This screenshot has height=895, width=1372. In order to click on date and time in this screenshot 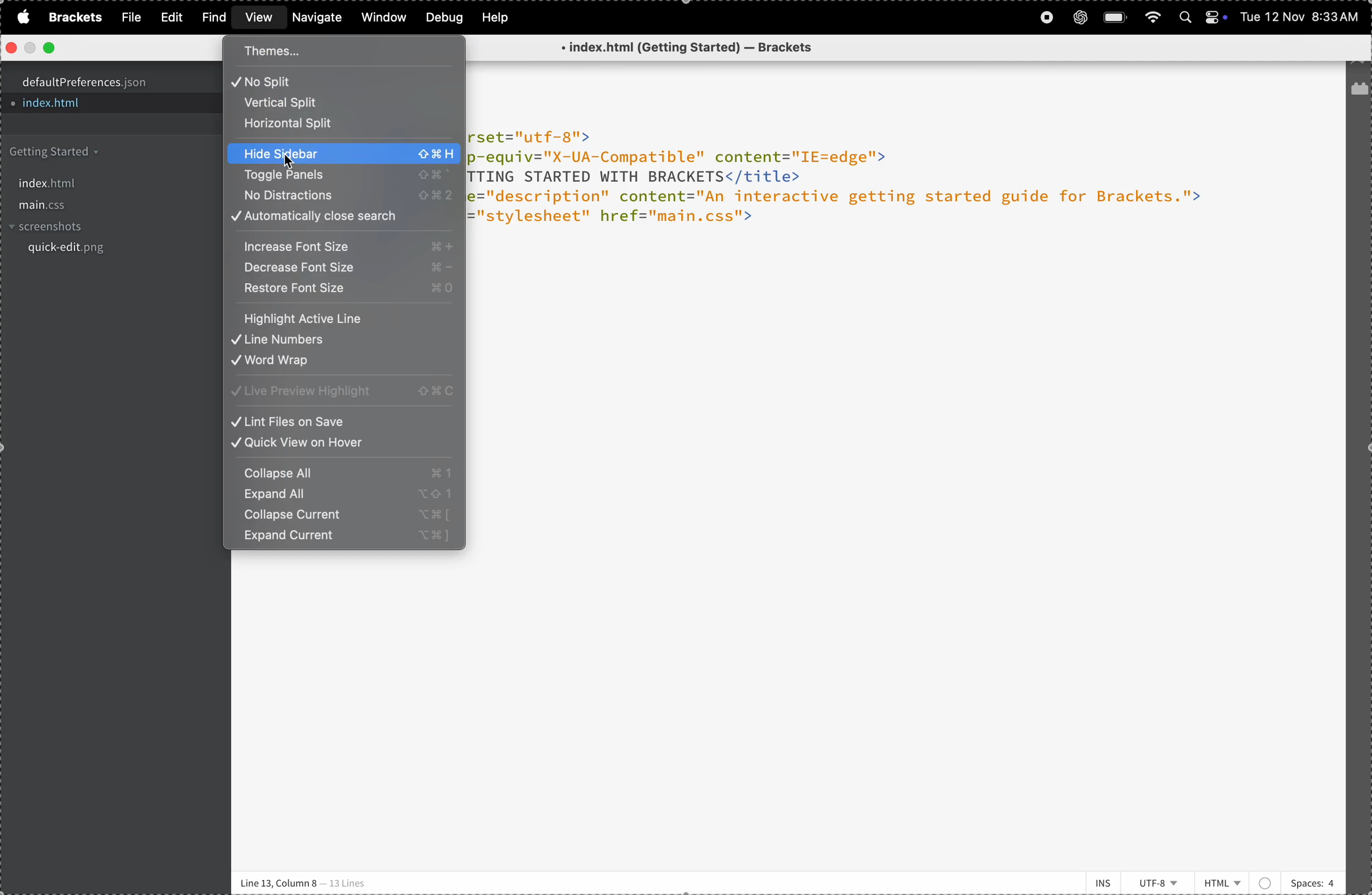, I will do `click(1301, 18)`.